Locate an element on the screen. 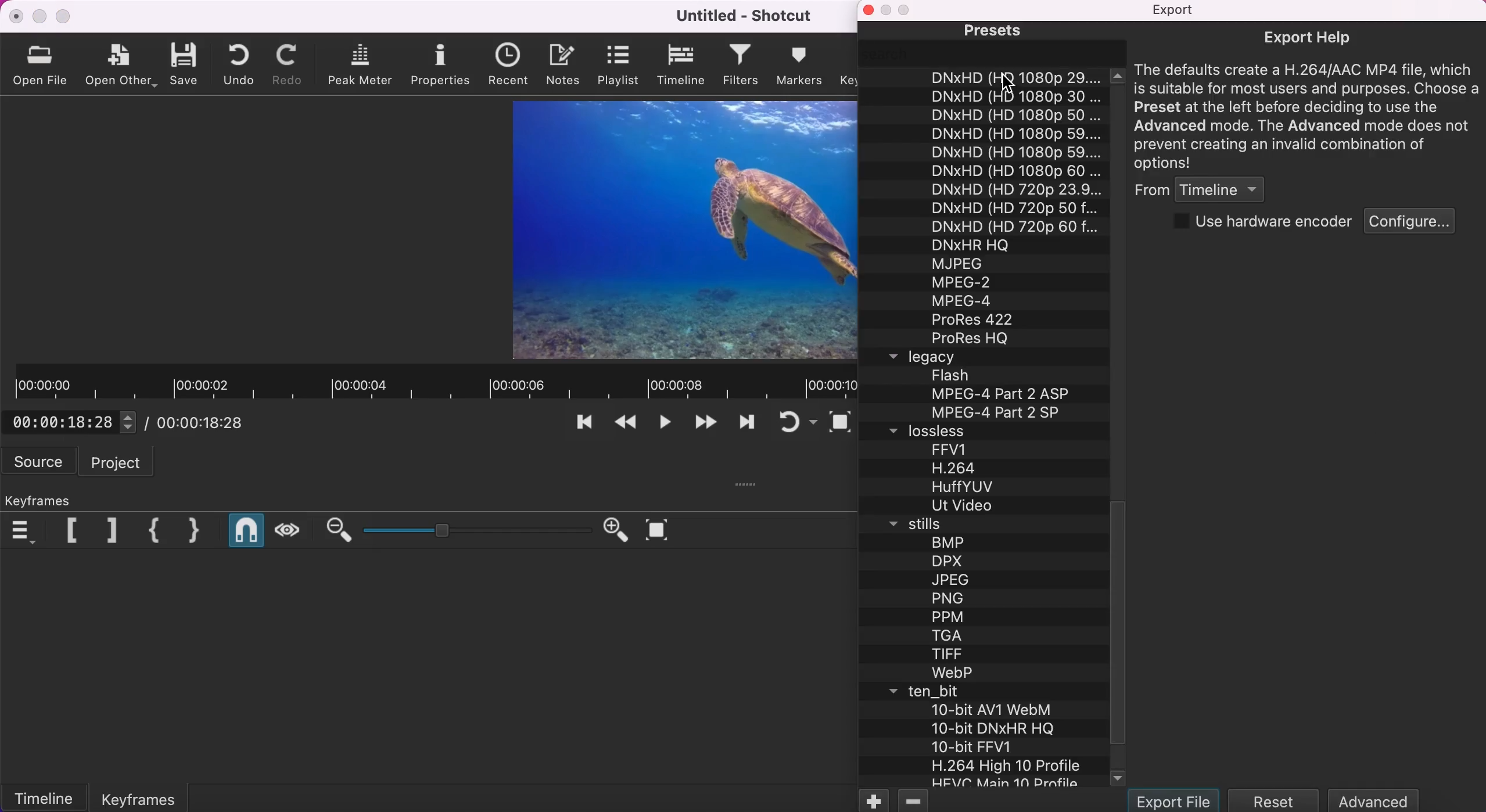 The width and height of the screenshot is (1486, 812). previous marker is located at coordinates (64, 530).